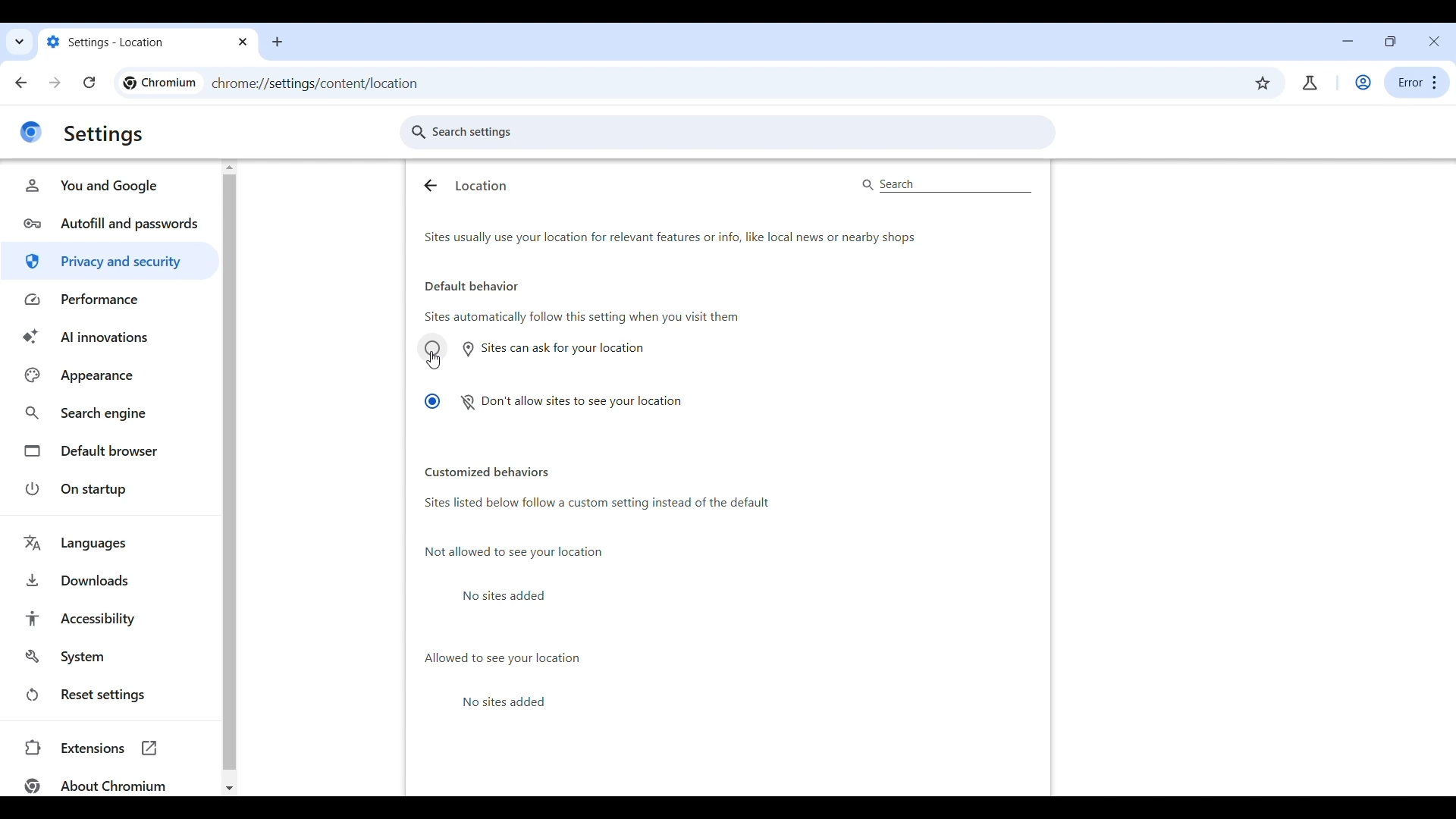 The width and height of the screenshot is (1456, 819). What do you see at coordinates (471, 285) in the screenshot?
I see `default behavior` at bounding box center [471, 285].